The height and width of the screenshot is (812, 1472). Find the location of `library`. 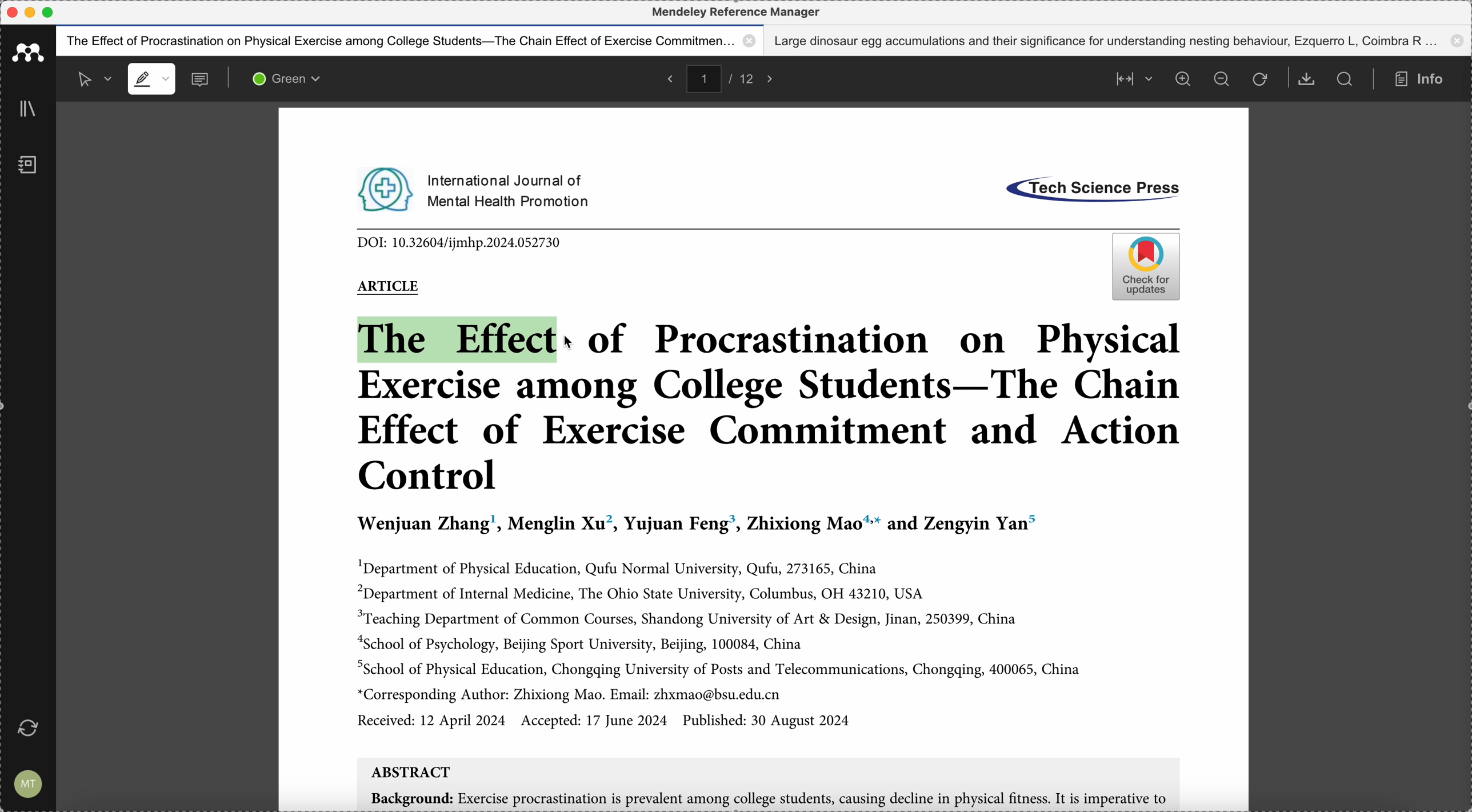

library is located at coordinates (30, 110).